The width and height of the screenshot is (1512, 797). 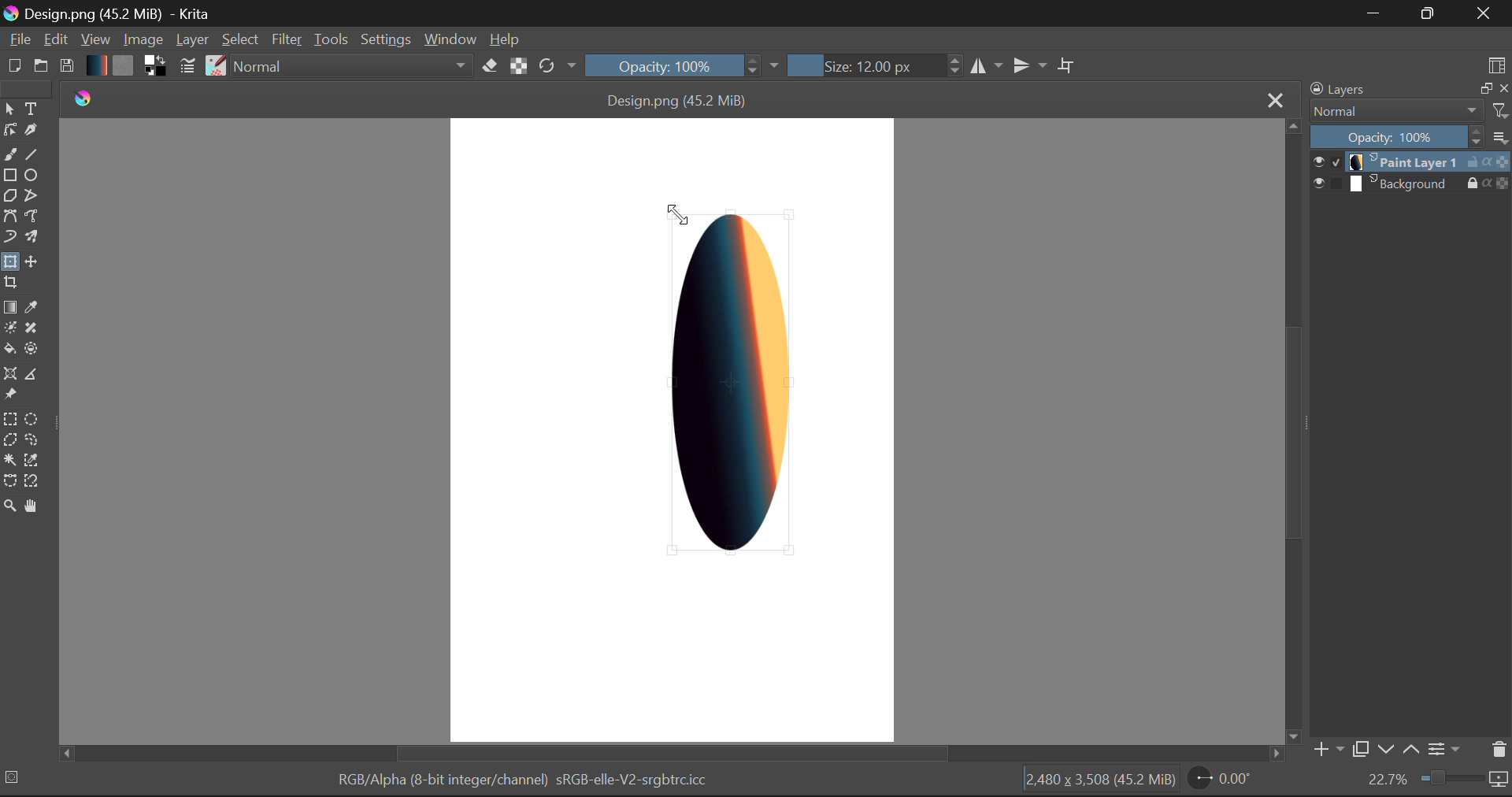 I want to click on Continuous Selection, so click(x=9, y=462).